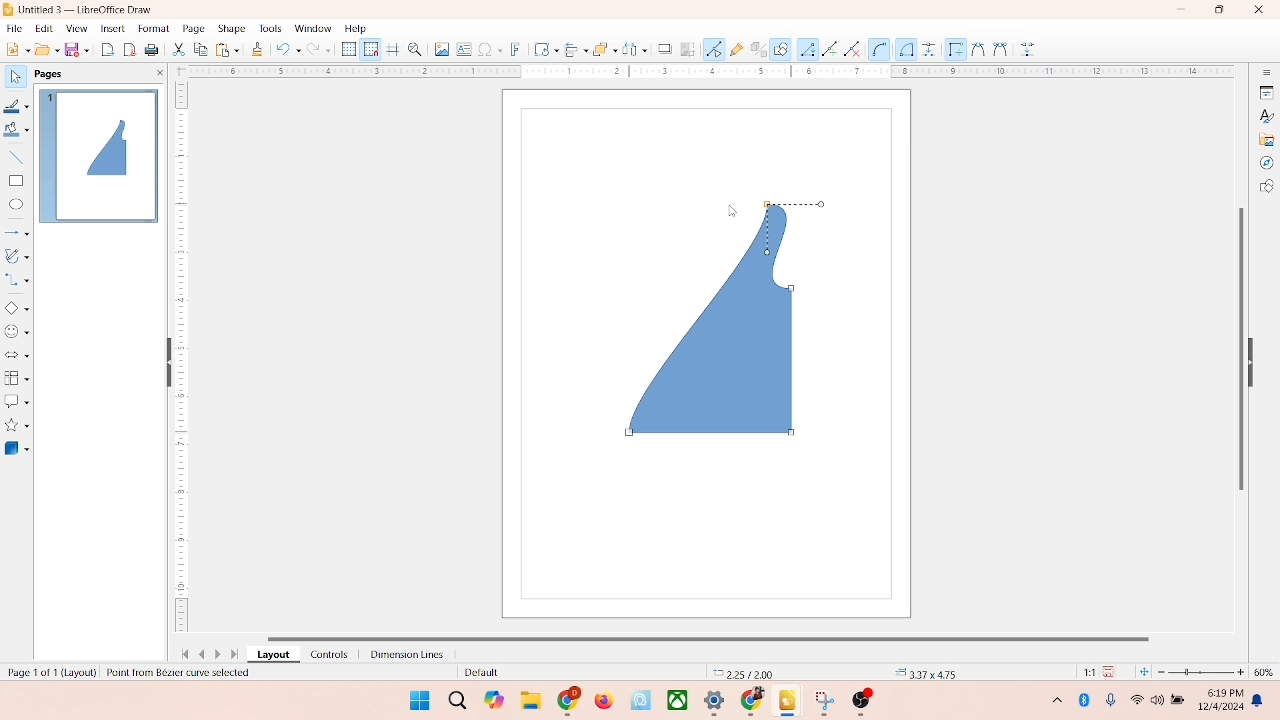 The image size is (1280, 720). Describe the element at coordinates (312, 29) in the screenshot. I see `window` at that location.